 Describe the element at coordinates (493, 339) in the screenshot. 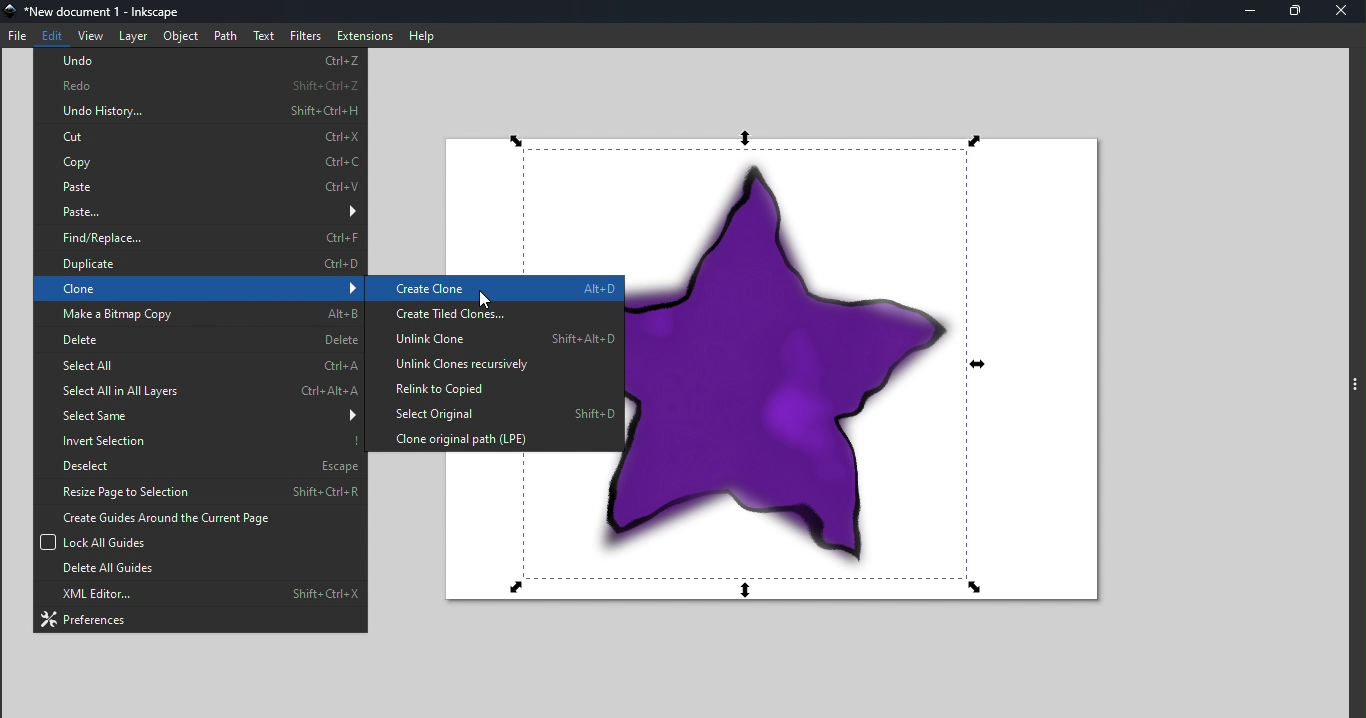

I see `Unlink clone` at that location.